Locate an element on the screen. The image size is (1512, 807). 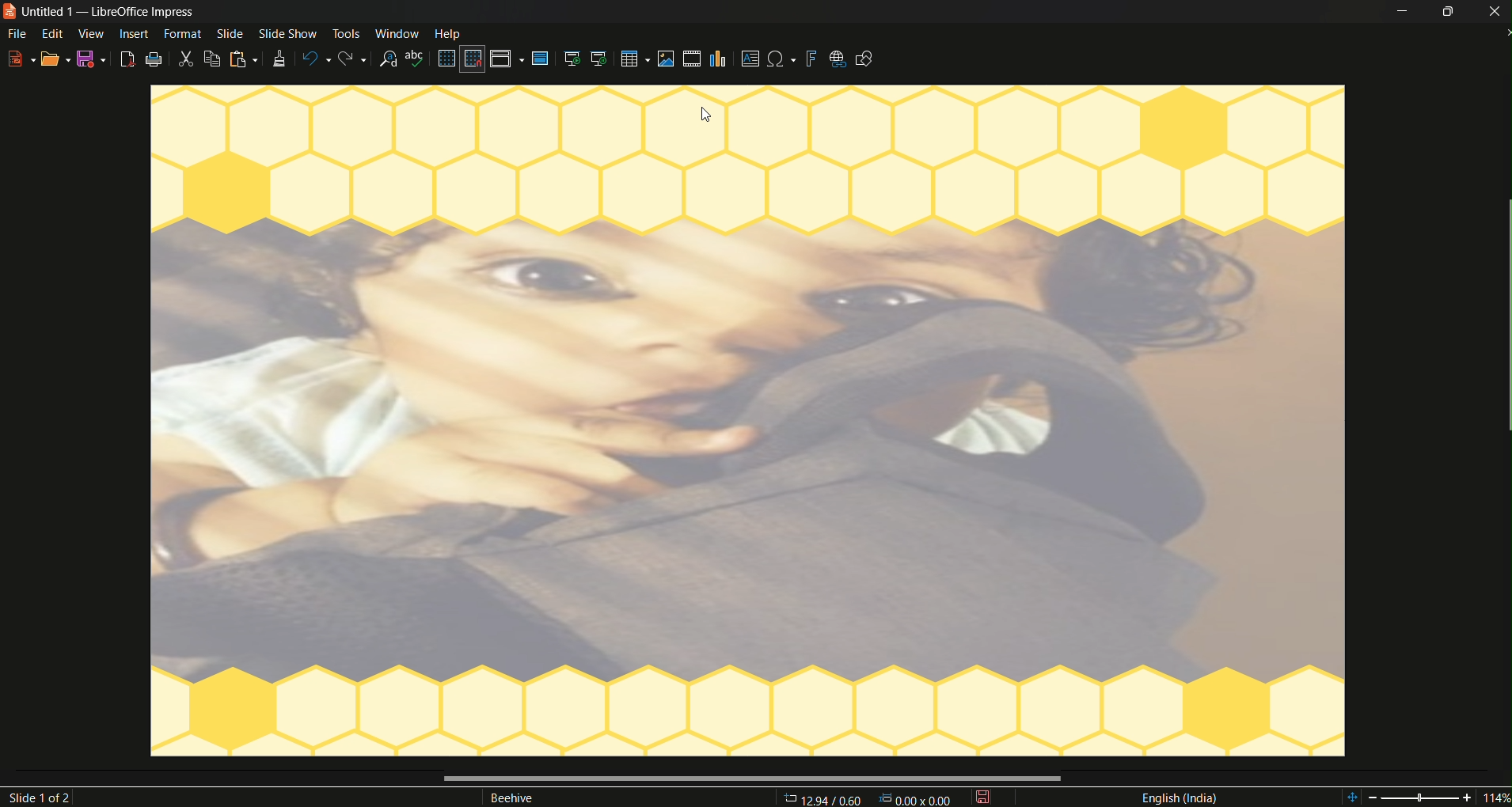
11.66/7.61  00v 000 is located at coordinates (864, 798).